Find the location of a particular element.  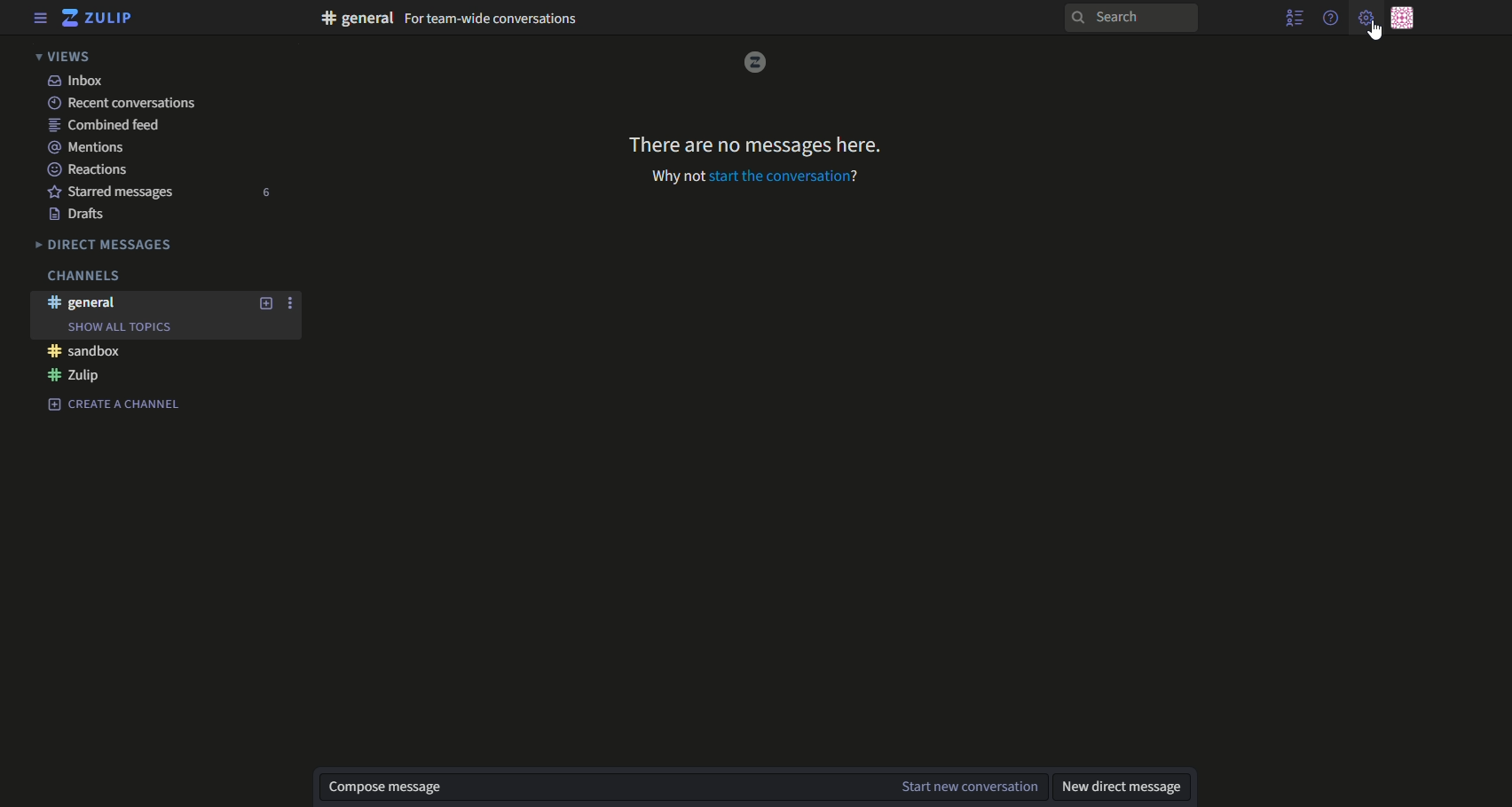

Channels is located at coordinates (82, 276).